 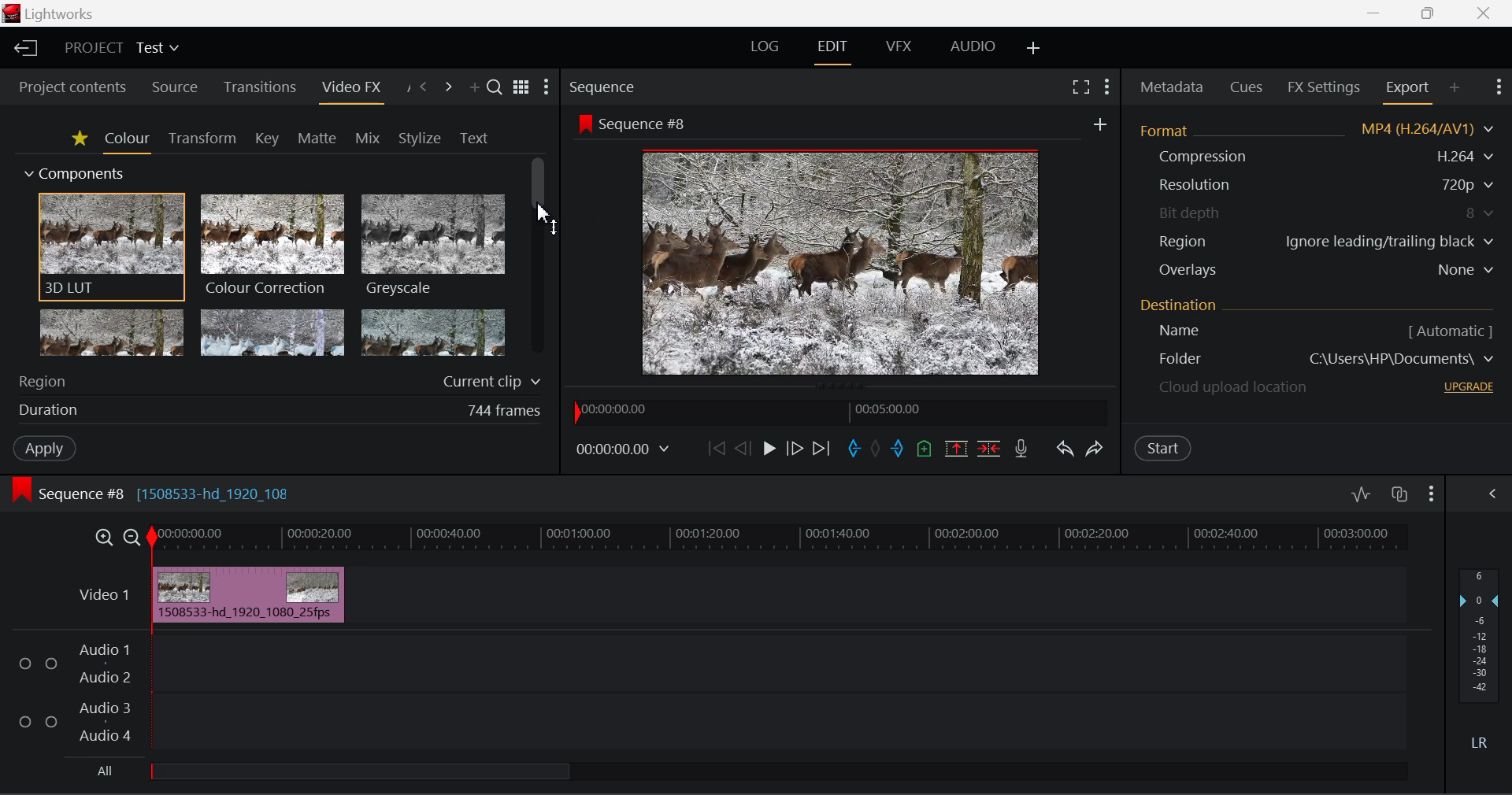 I want to click on Show Settings, so click(x=1499, y=90).